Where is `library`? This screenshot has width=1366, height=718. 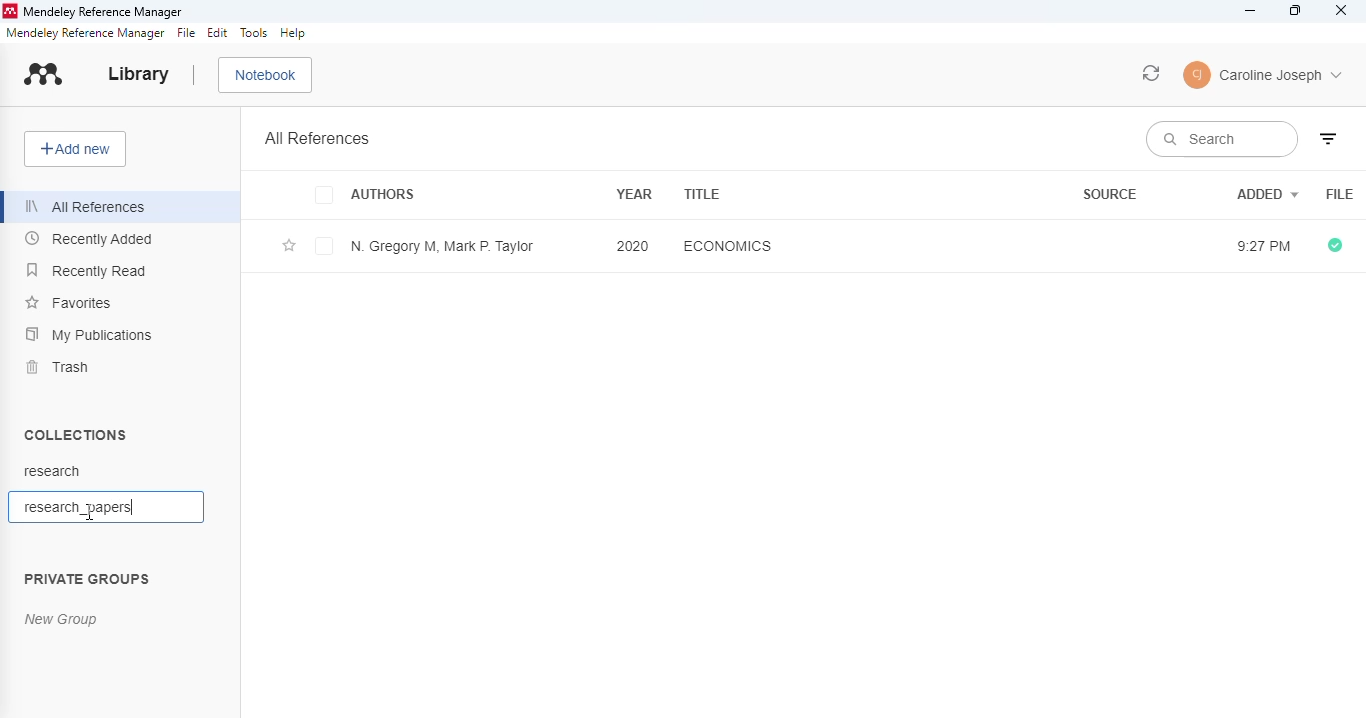
library is located at coordinates (139, 74).